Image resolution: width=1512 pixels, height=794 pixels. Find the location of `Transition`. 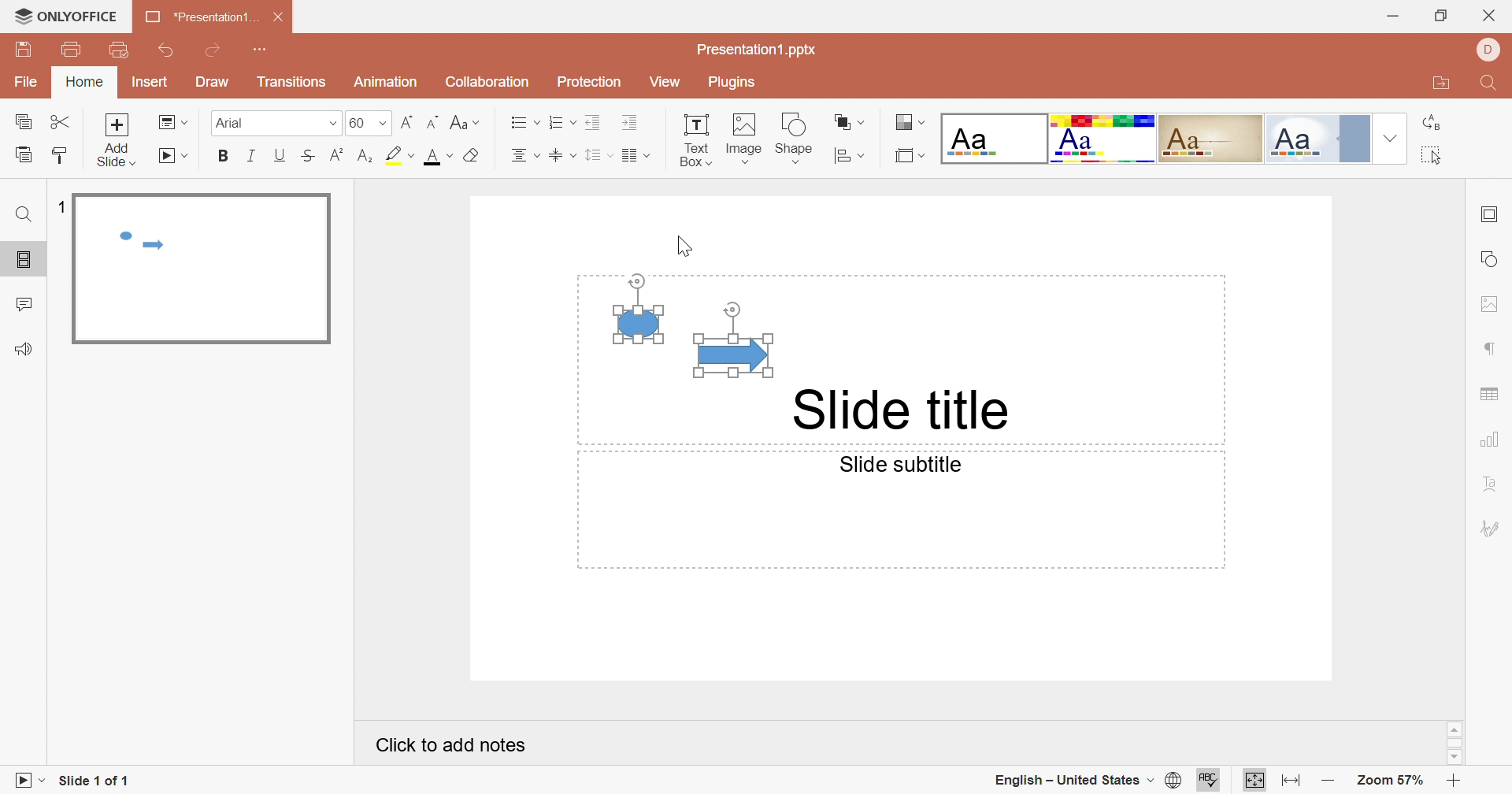

Transition is located at coordinates (290, 83).